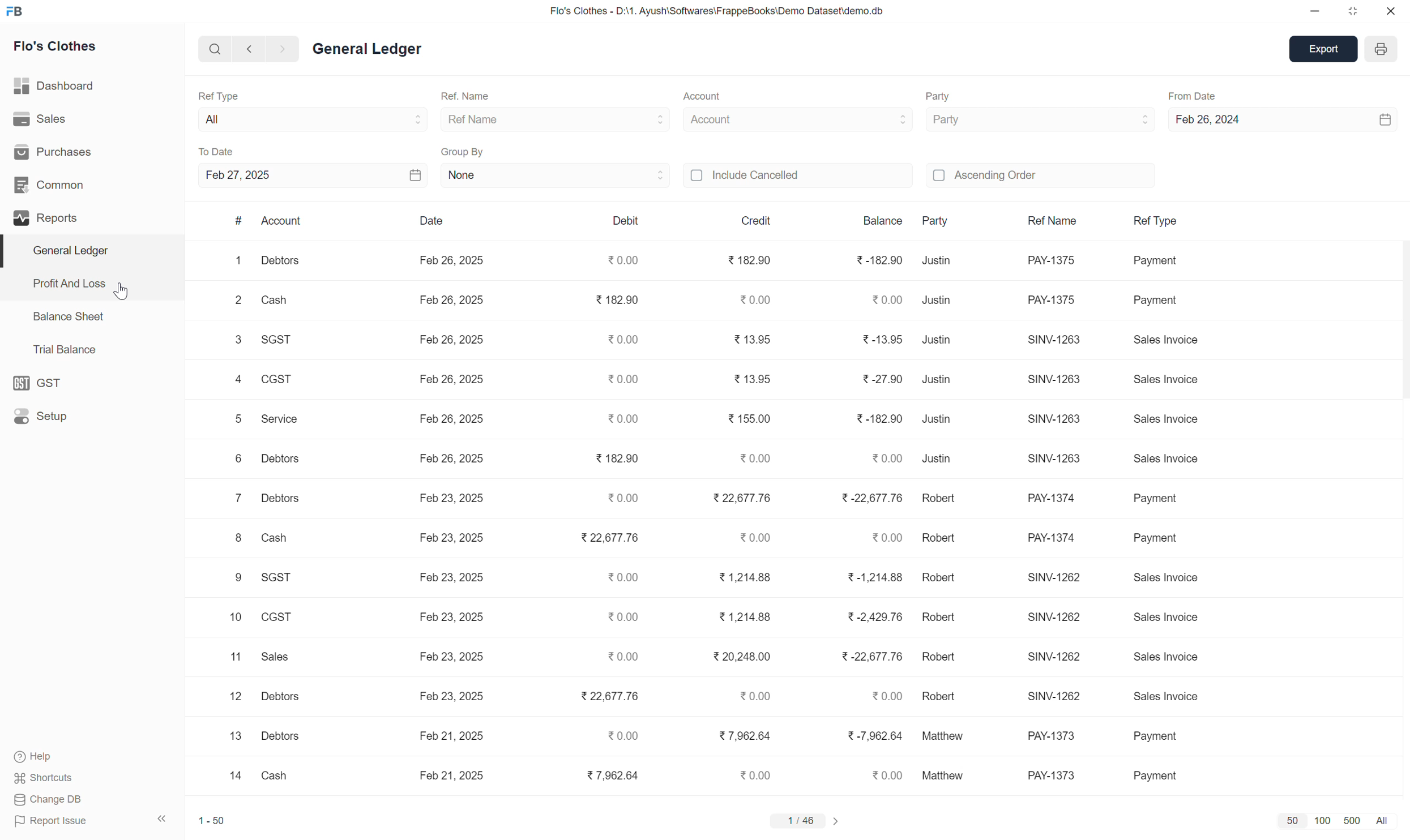 The image size is (1410, 840). What do you see at coordinates (1174, 661) in the screenshot?
I see `Sales Invoice` at bounding box center [1174, 661].